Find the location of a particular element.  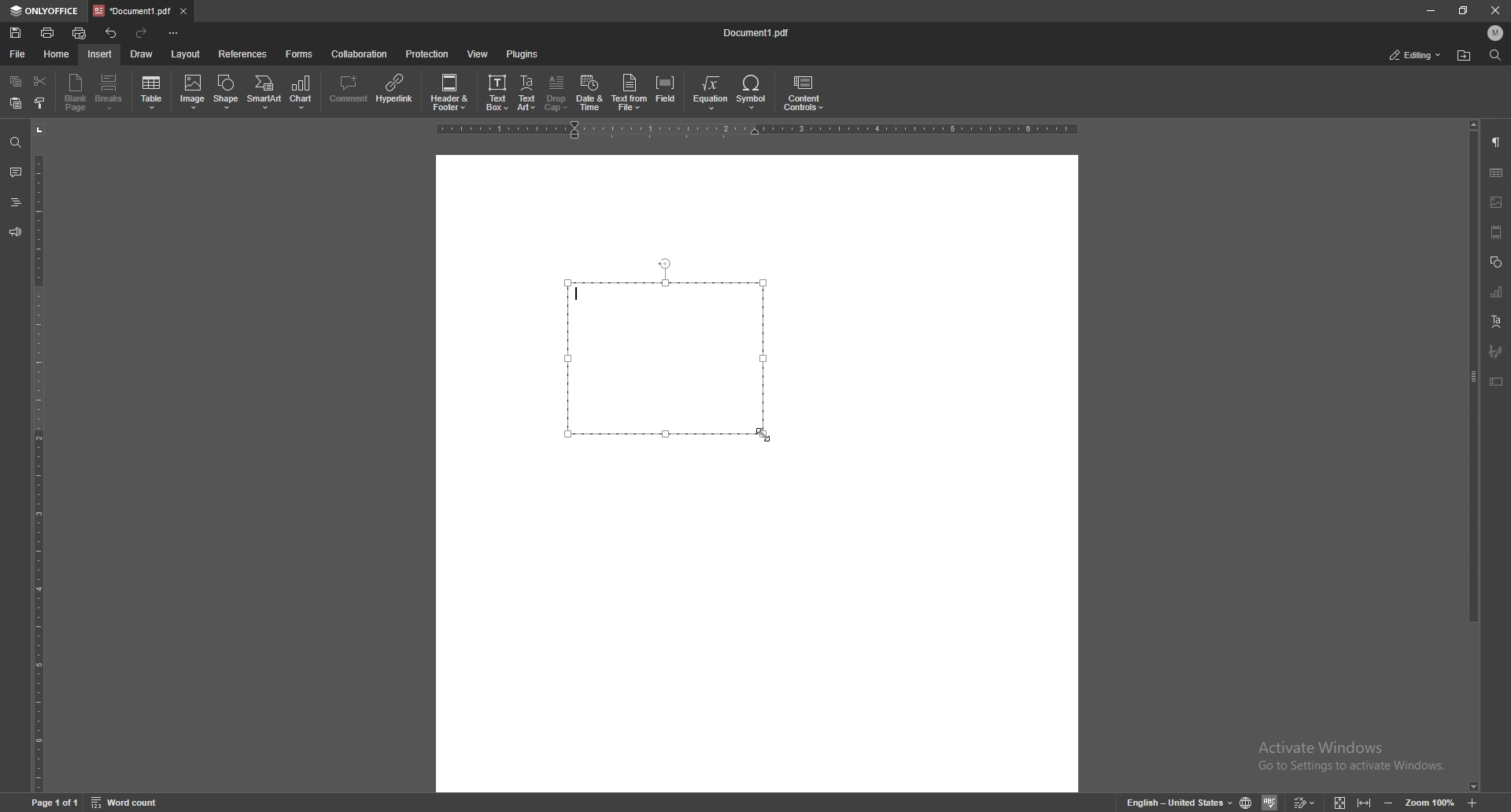

quick print is located at coordinates (79, 34).